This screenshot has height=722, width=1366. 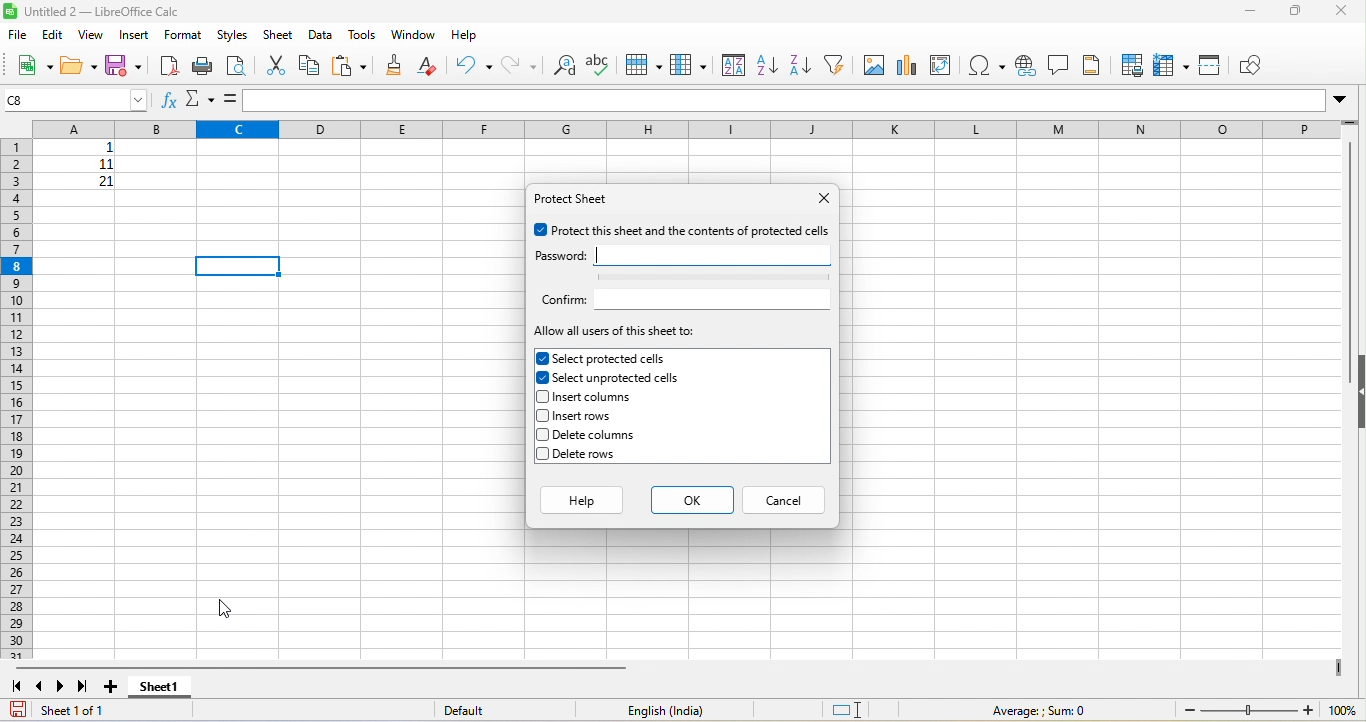 What do you see at coordinates (19, 685) in the screenshot?
I see `first sheet` at bounding box center [19, 685].